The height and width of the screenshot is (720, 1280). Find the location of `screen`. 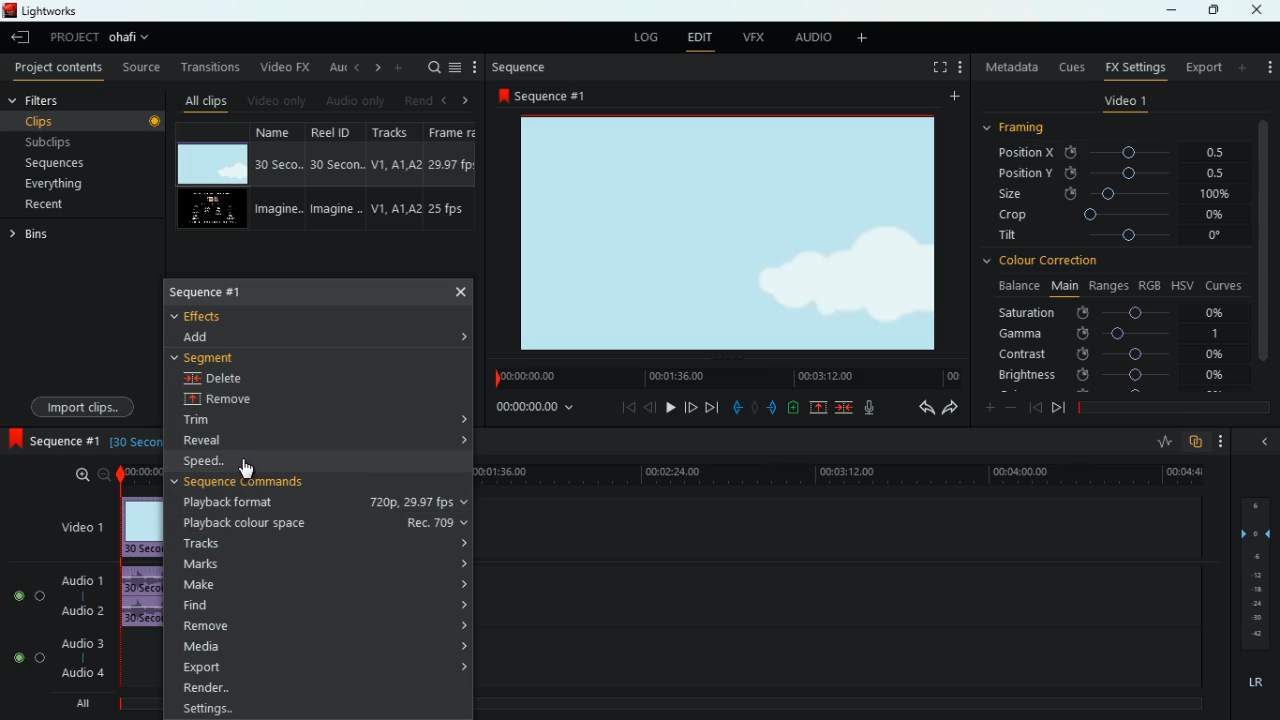

screen is located at coordinates (935, 67).